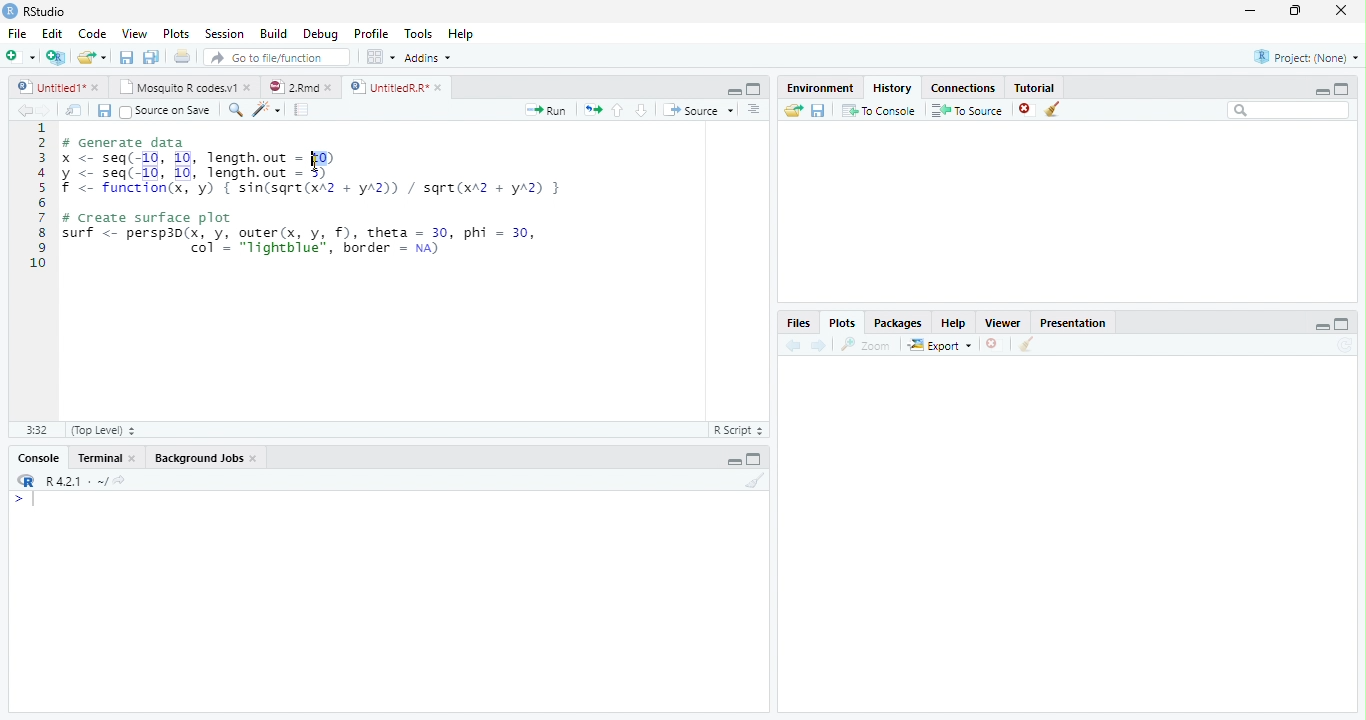 The height and width of the screenshot is (720, 1366). I want to click on (Top Level), so click(105, 430).